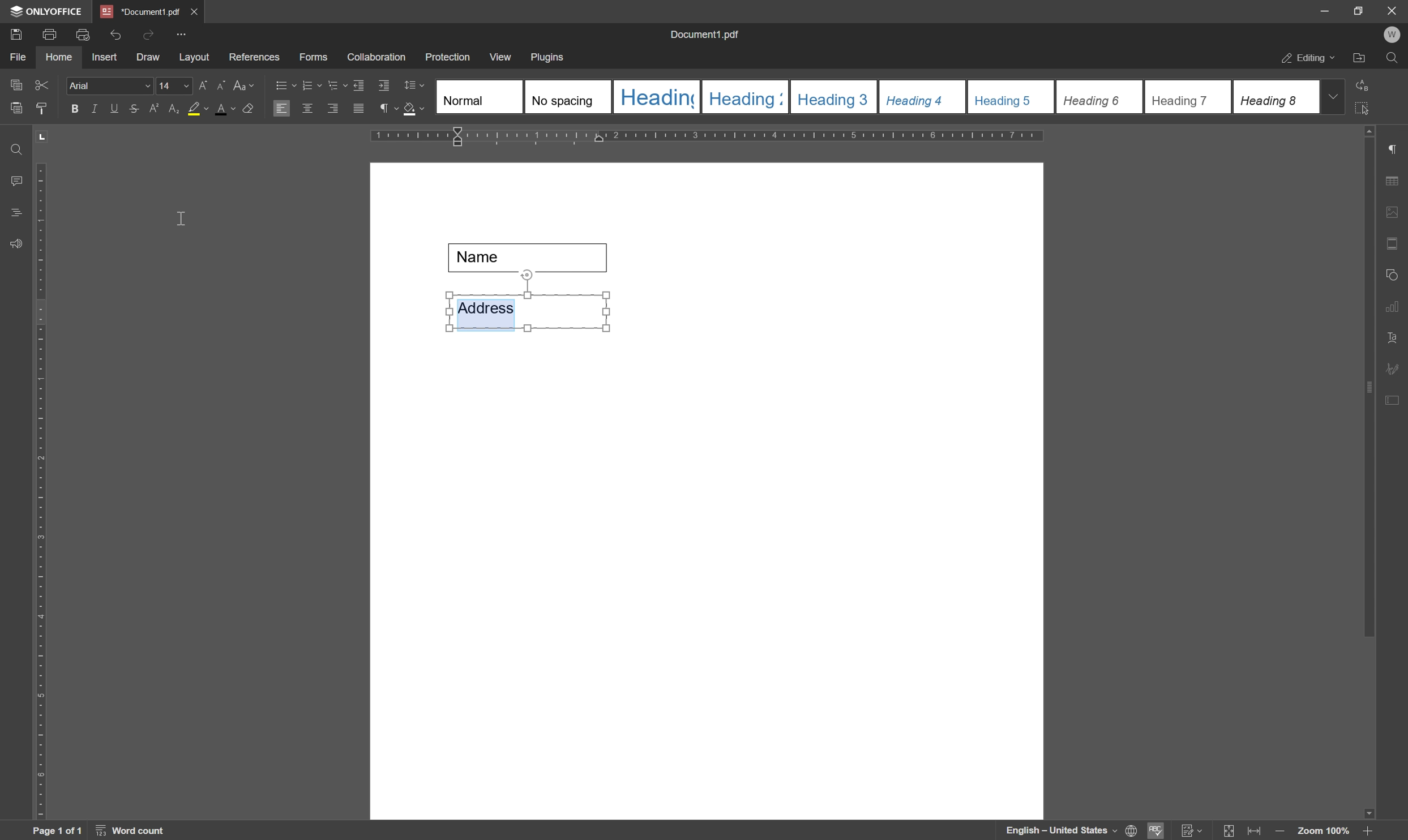  I want to click on paragraph settings, so click(1398, 149).